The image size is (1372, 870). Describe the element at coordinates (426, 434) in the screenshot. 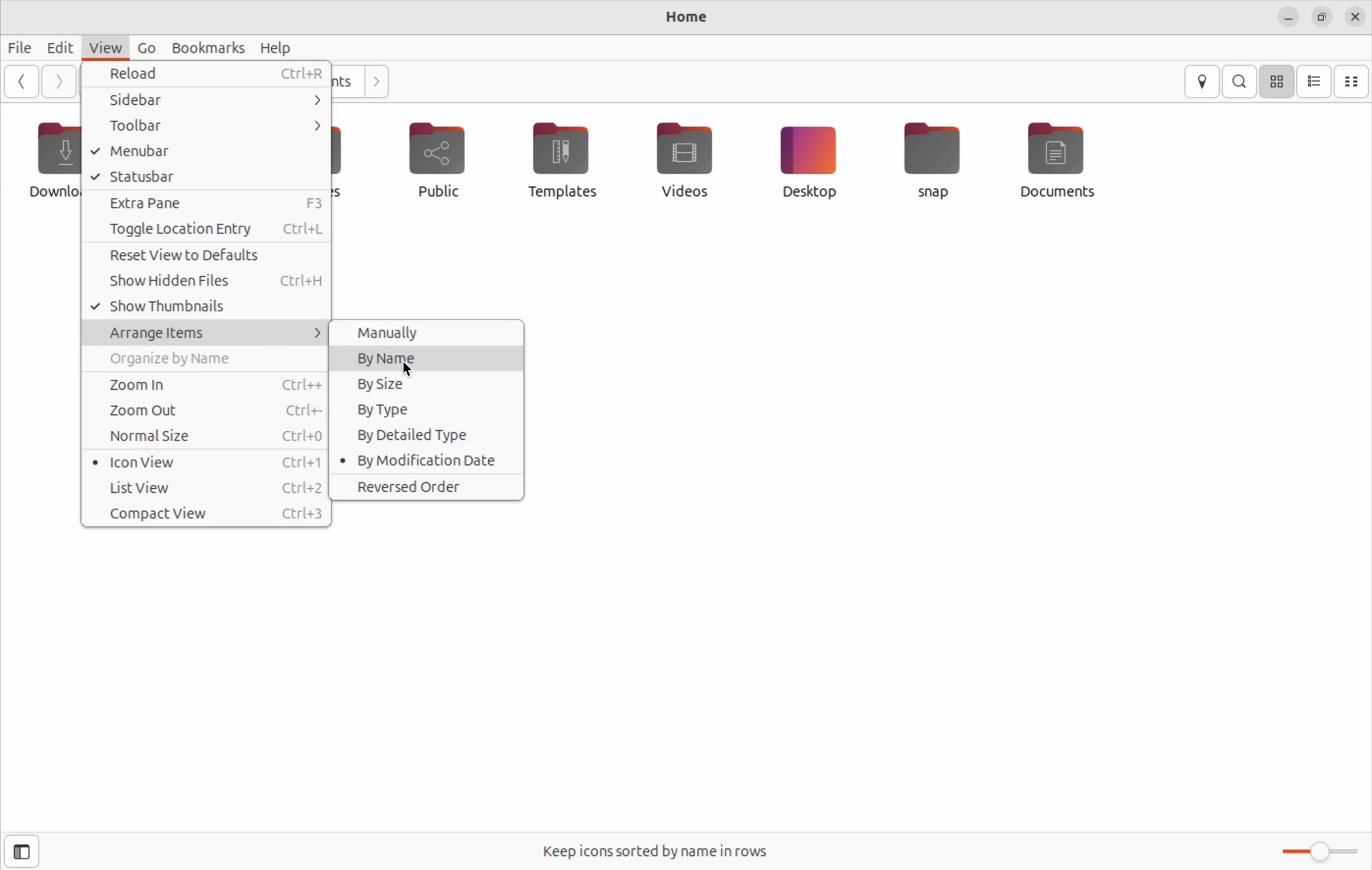

I see `by detailed type` at that location.